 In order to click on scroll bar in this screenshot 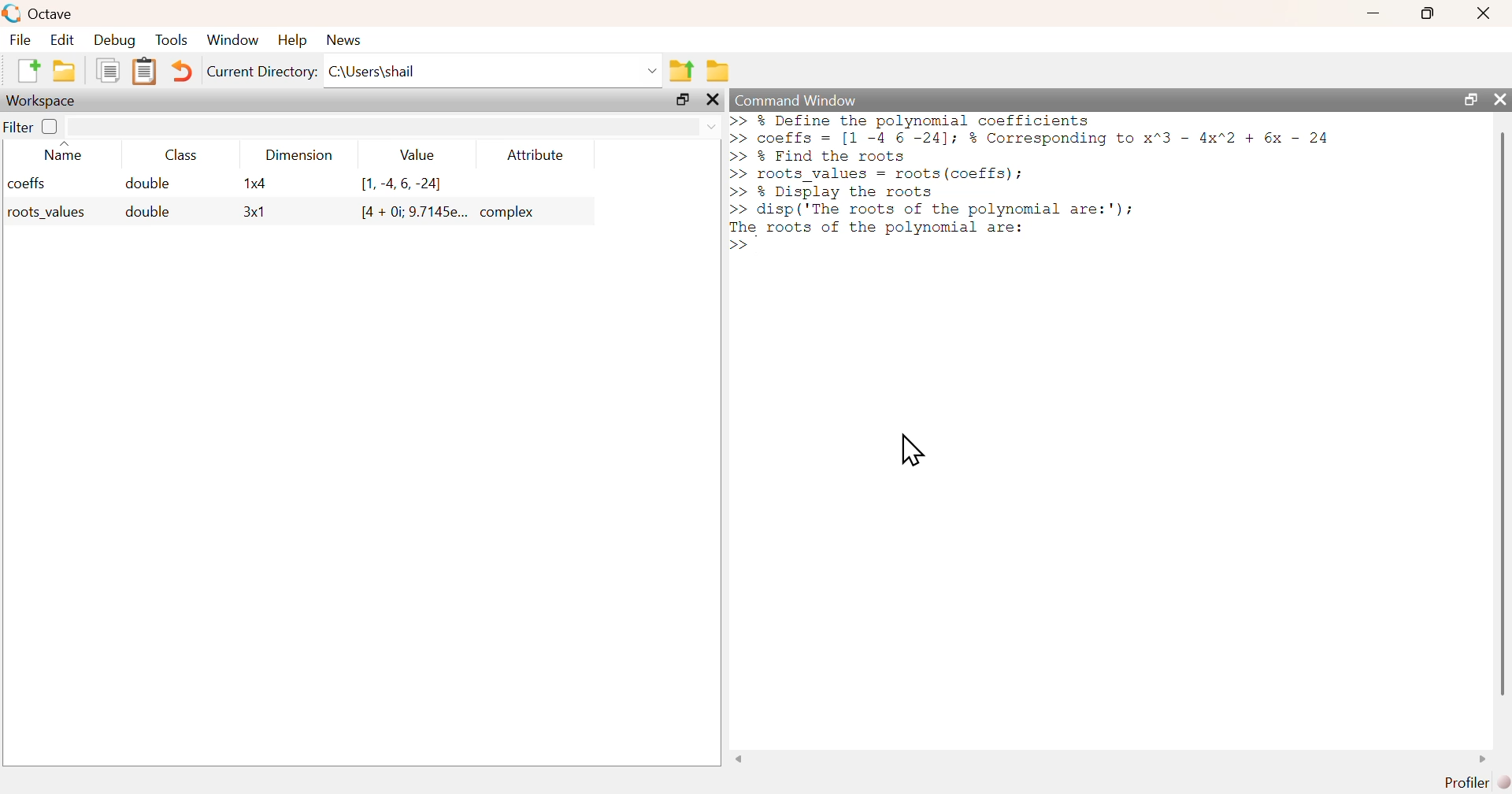, I will do `click(1499, 413)`.